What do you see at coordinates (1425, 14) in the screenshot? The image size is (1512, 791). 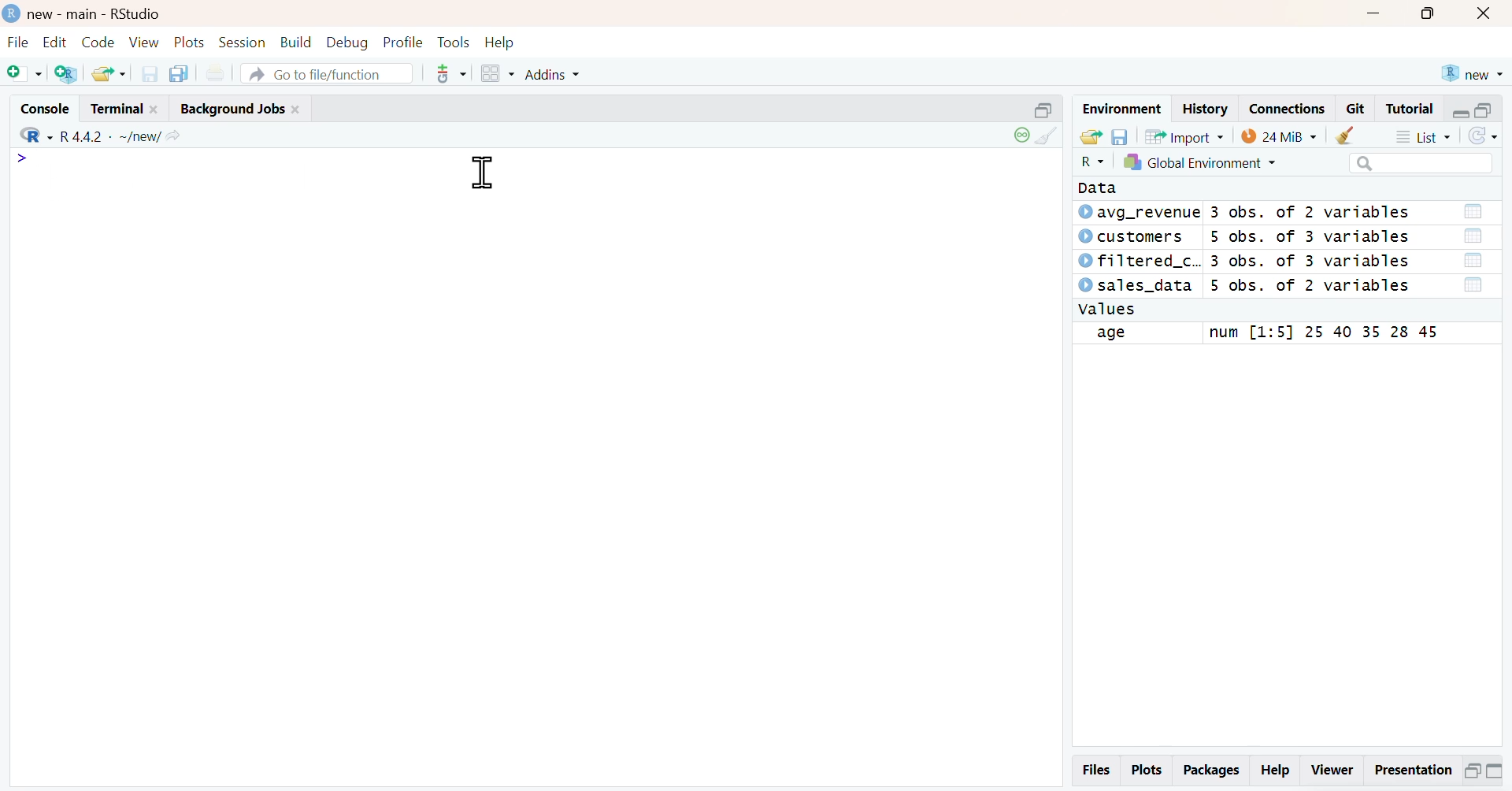 I see `maximize` at bounding box center [1425, 14].